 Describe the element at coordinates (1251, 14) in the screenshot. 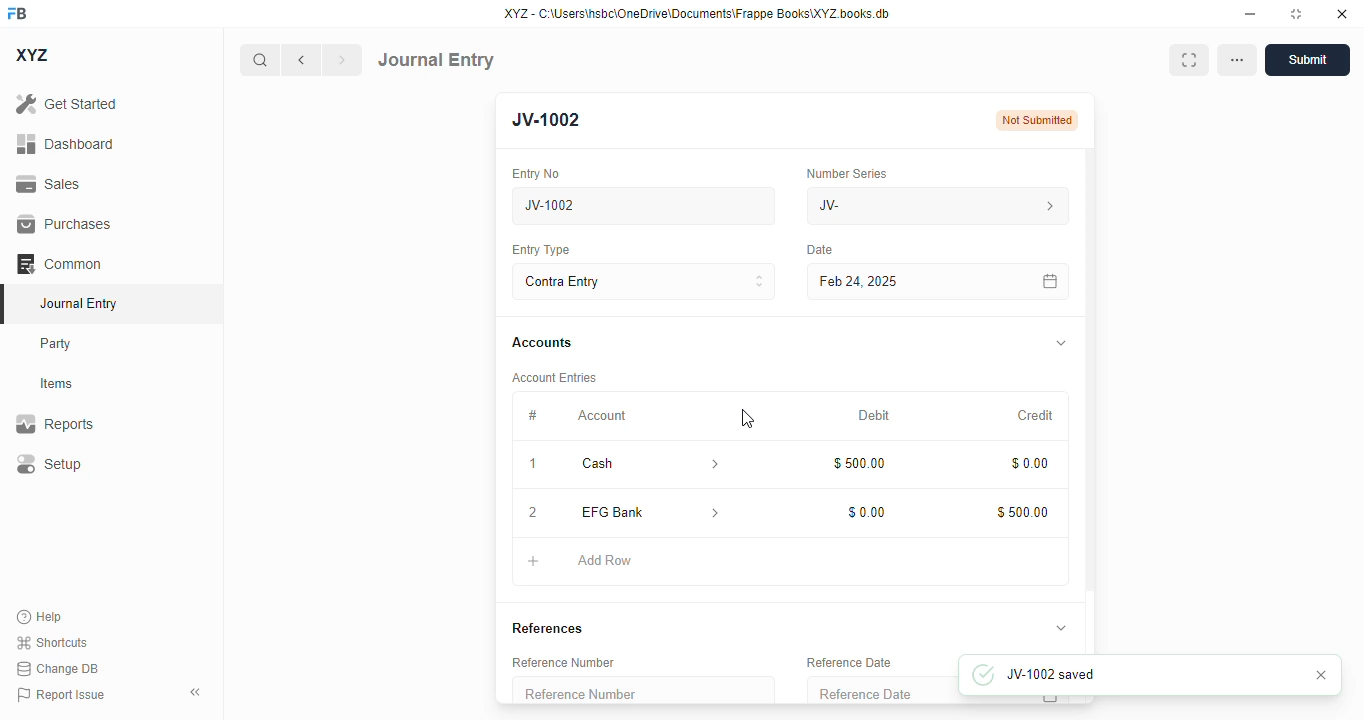

I see `minimize` at that location.